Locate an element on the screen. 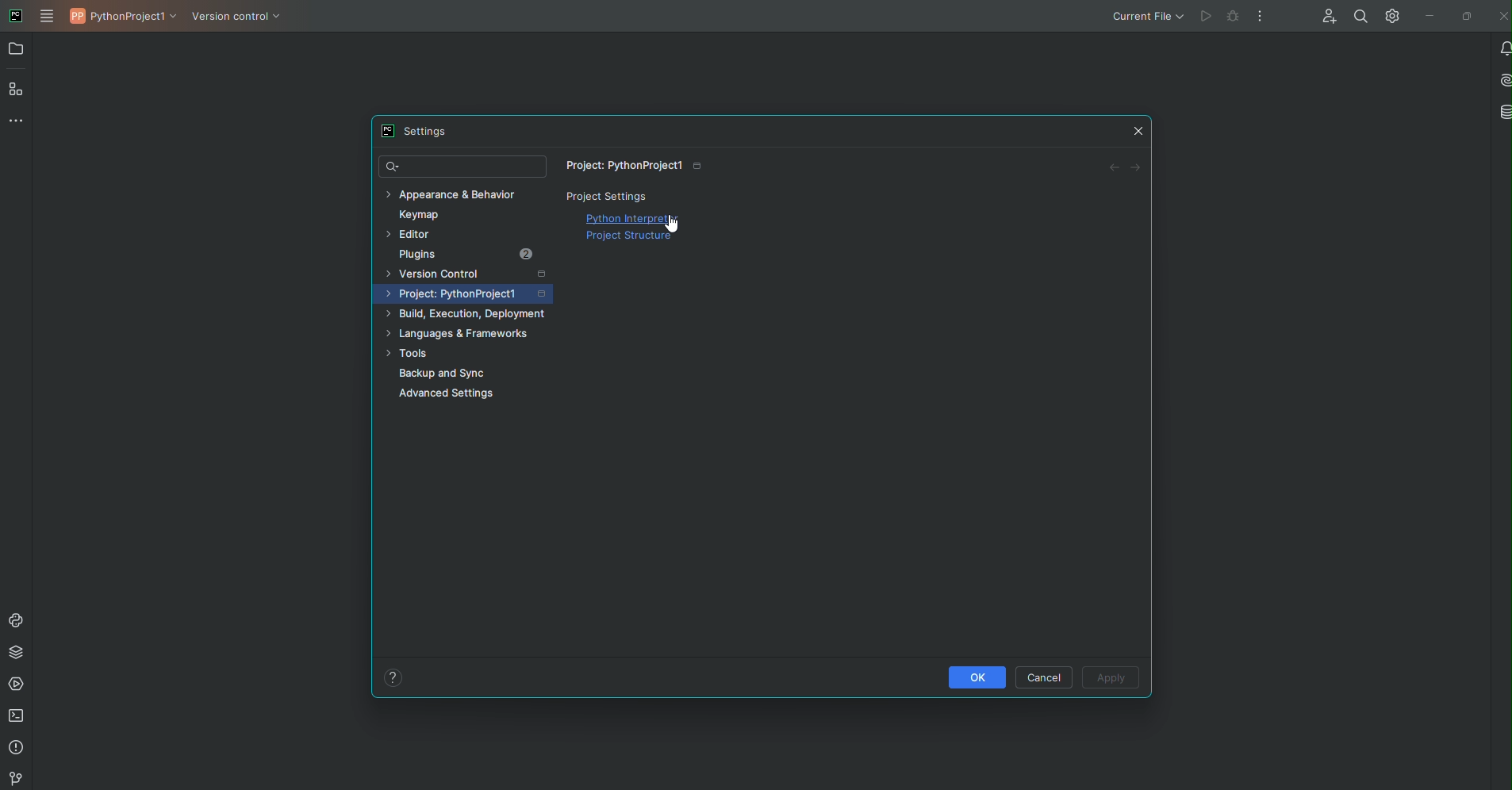 The image size is (1512, 790). Cancel is located at coordinates (1044, 676).